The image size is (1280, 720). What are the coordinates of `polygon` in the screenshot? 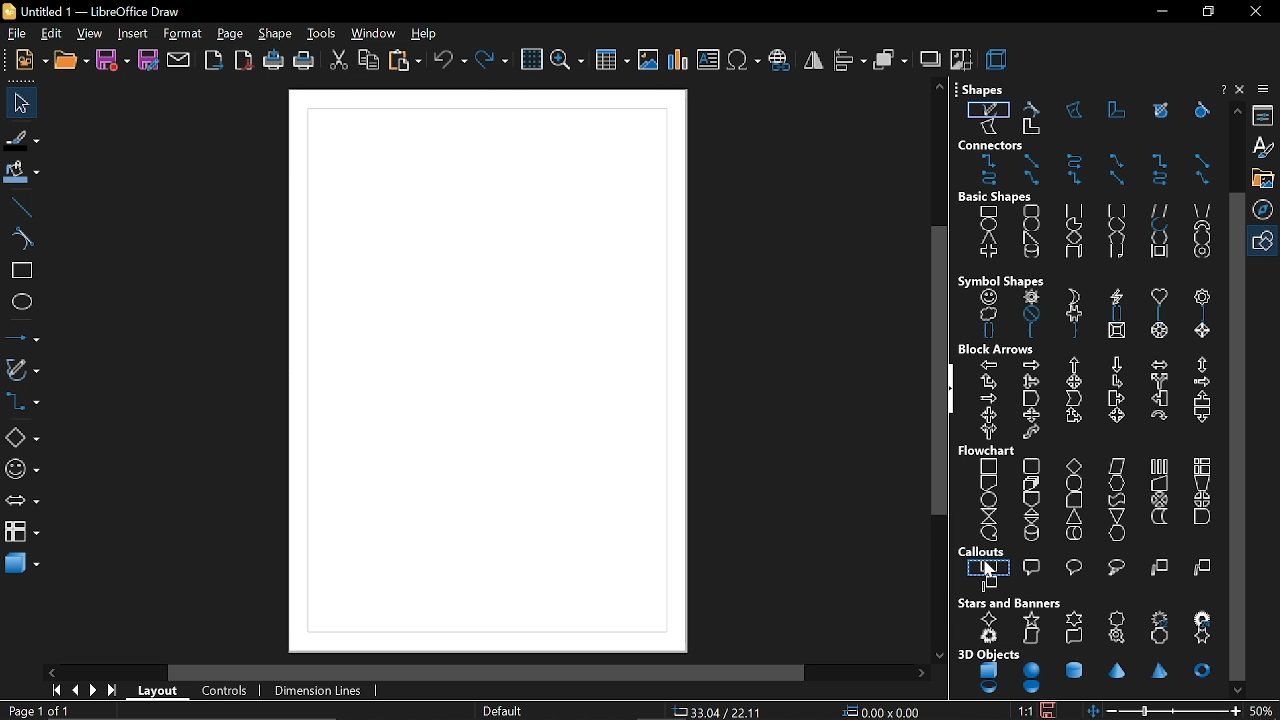 It's located at (1076, 111).